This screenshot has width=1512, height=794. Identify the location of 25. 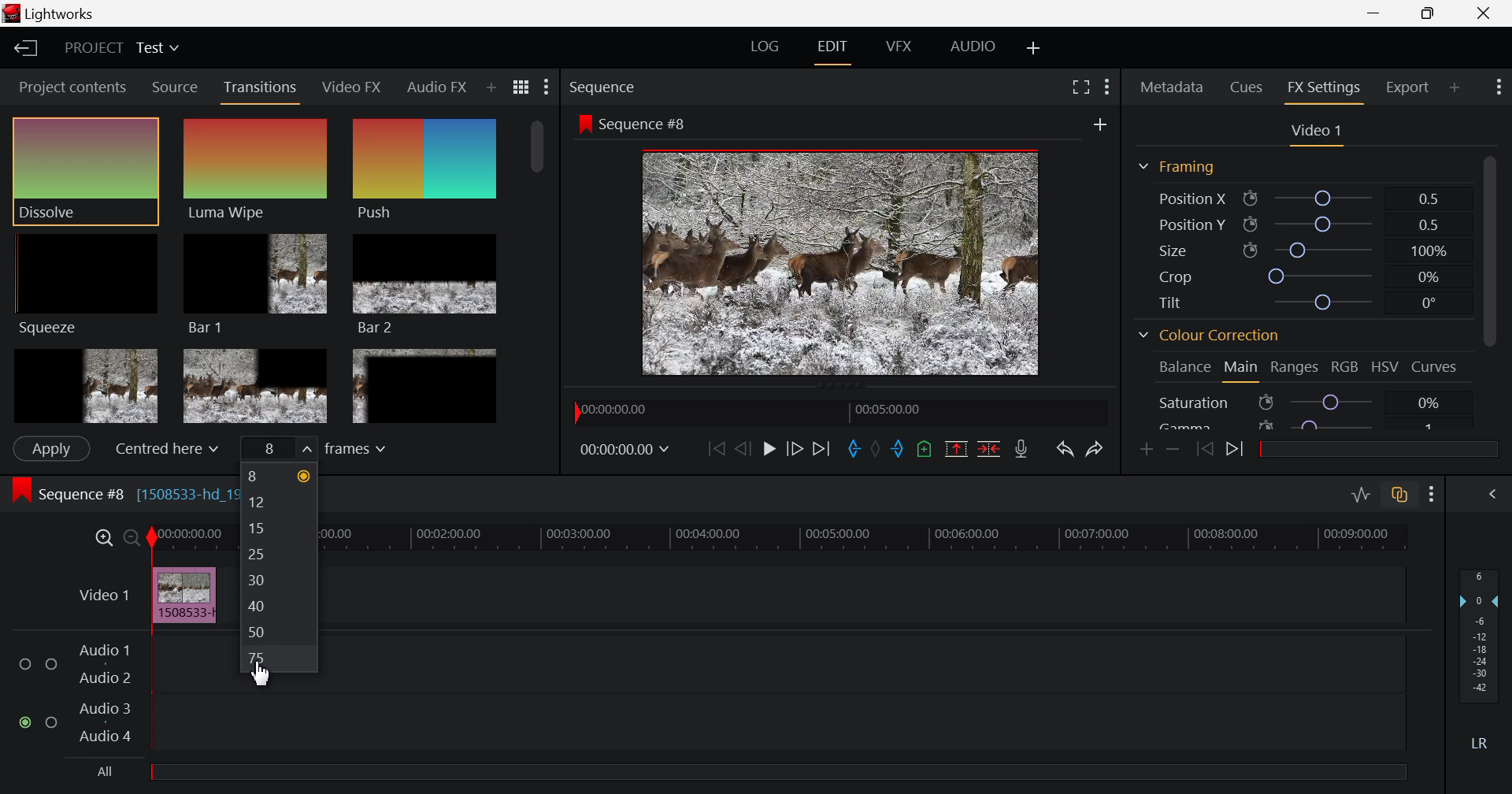
(277, 548).